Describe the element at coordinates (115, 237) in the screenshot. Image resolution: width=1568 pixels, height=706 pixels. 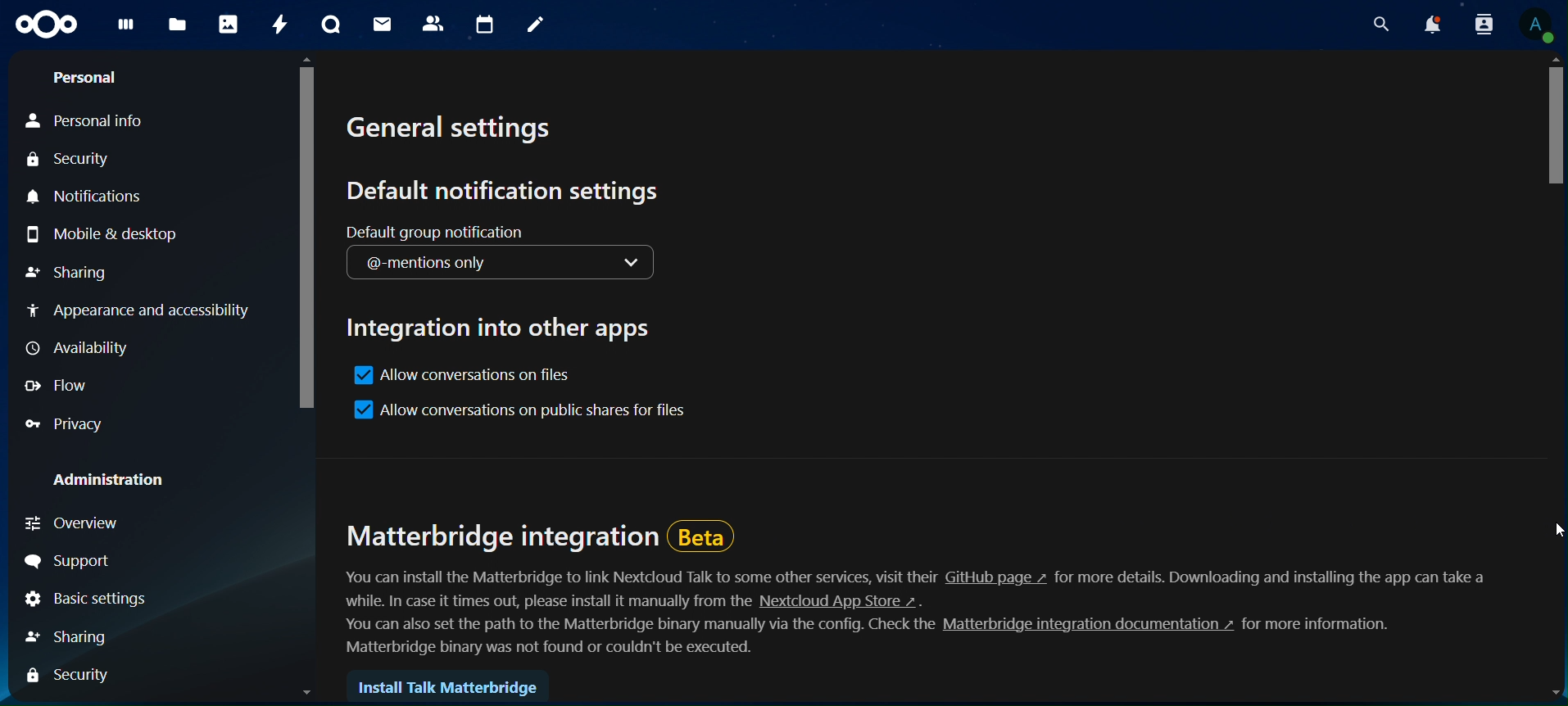
I see `Mobile & desktop` at that location.